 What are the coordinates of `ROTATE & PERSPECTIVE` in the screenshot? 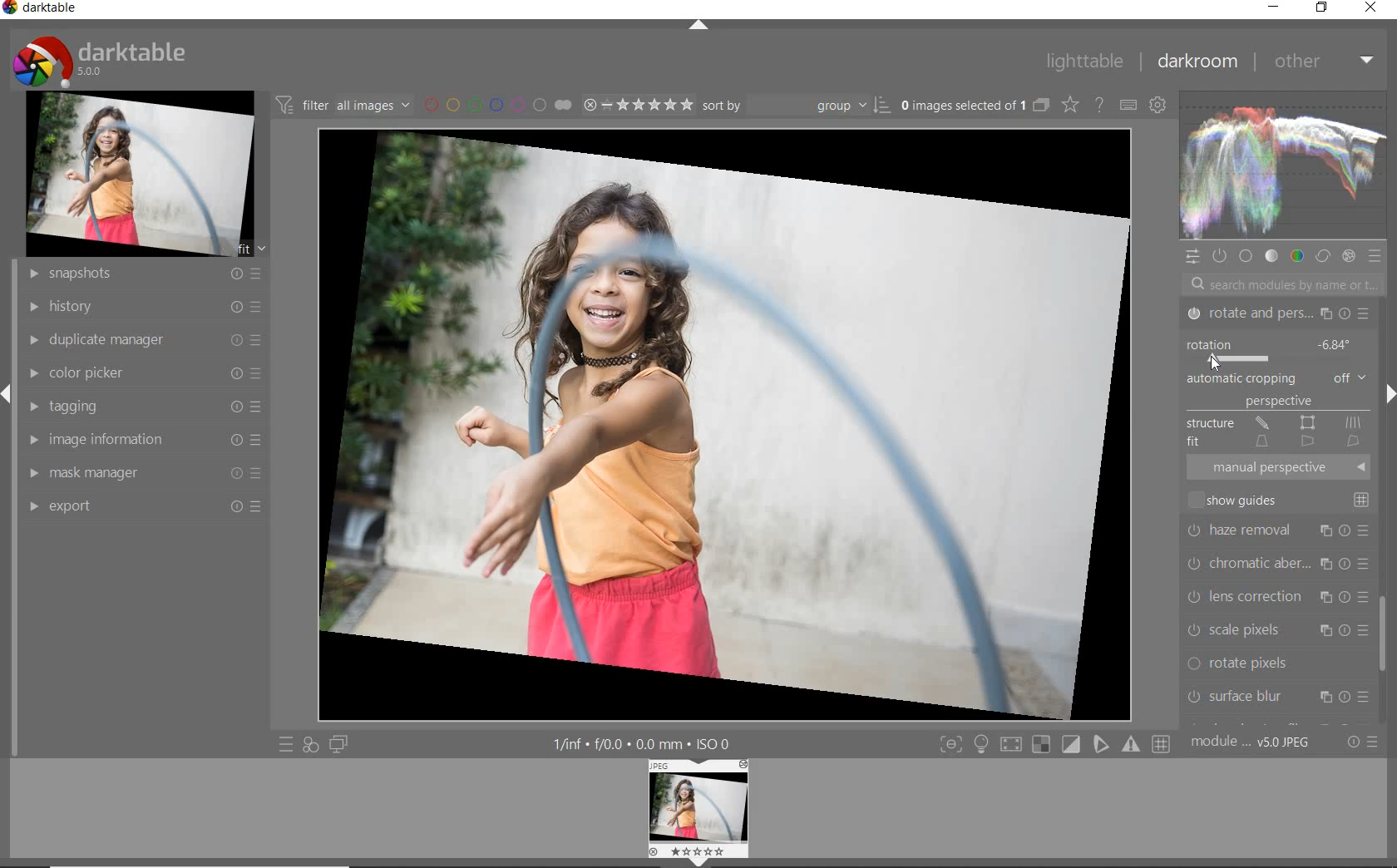 It's located at (1276, 314).